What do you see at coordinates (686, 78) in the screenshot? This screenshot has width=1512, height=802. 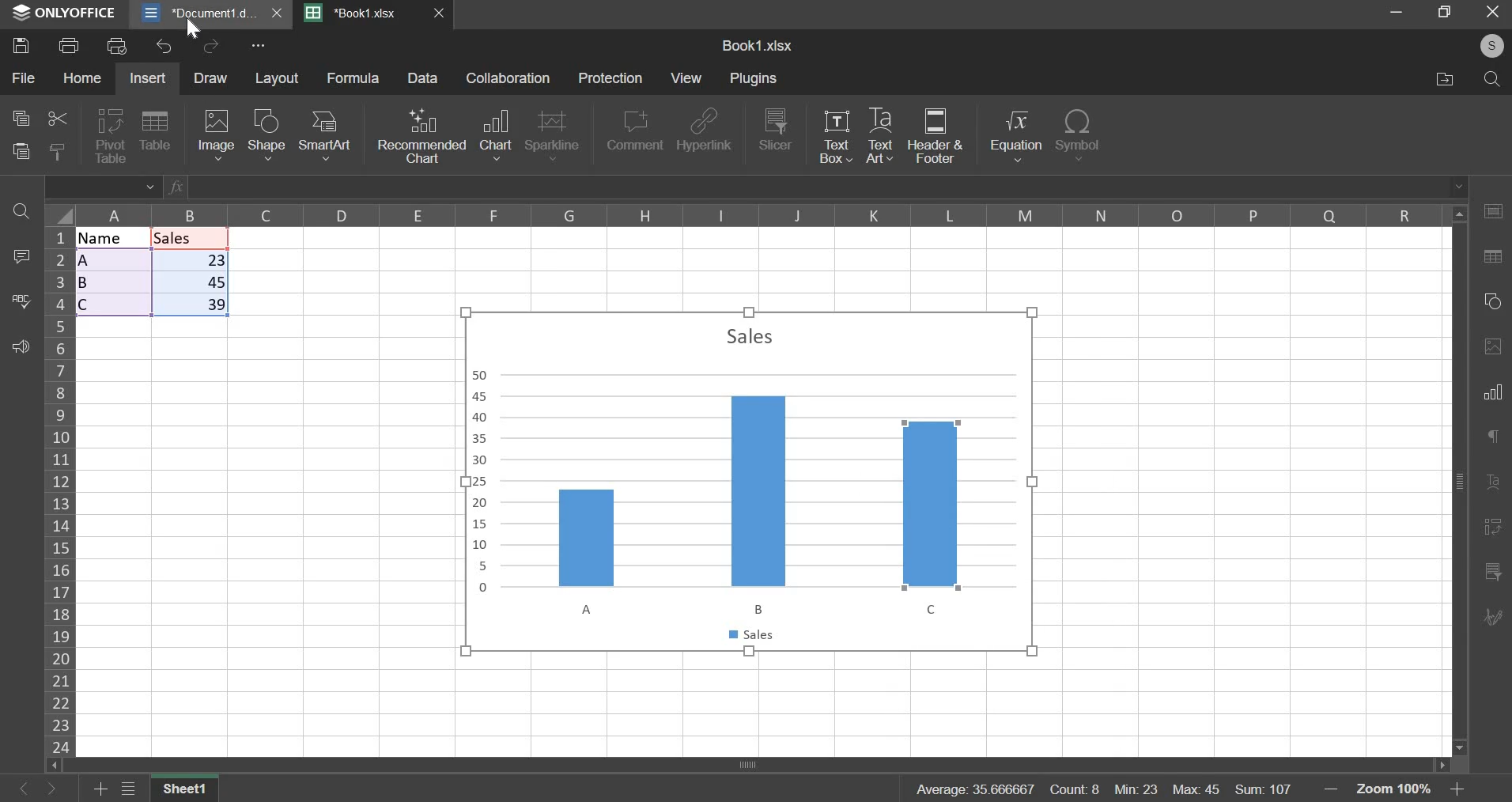 I see `view` at bounding box center [686, 78].